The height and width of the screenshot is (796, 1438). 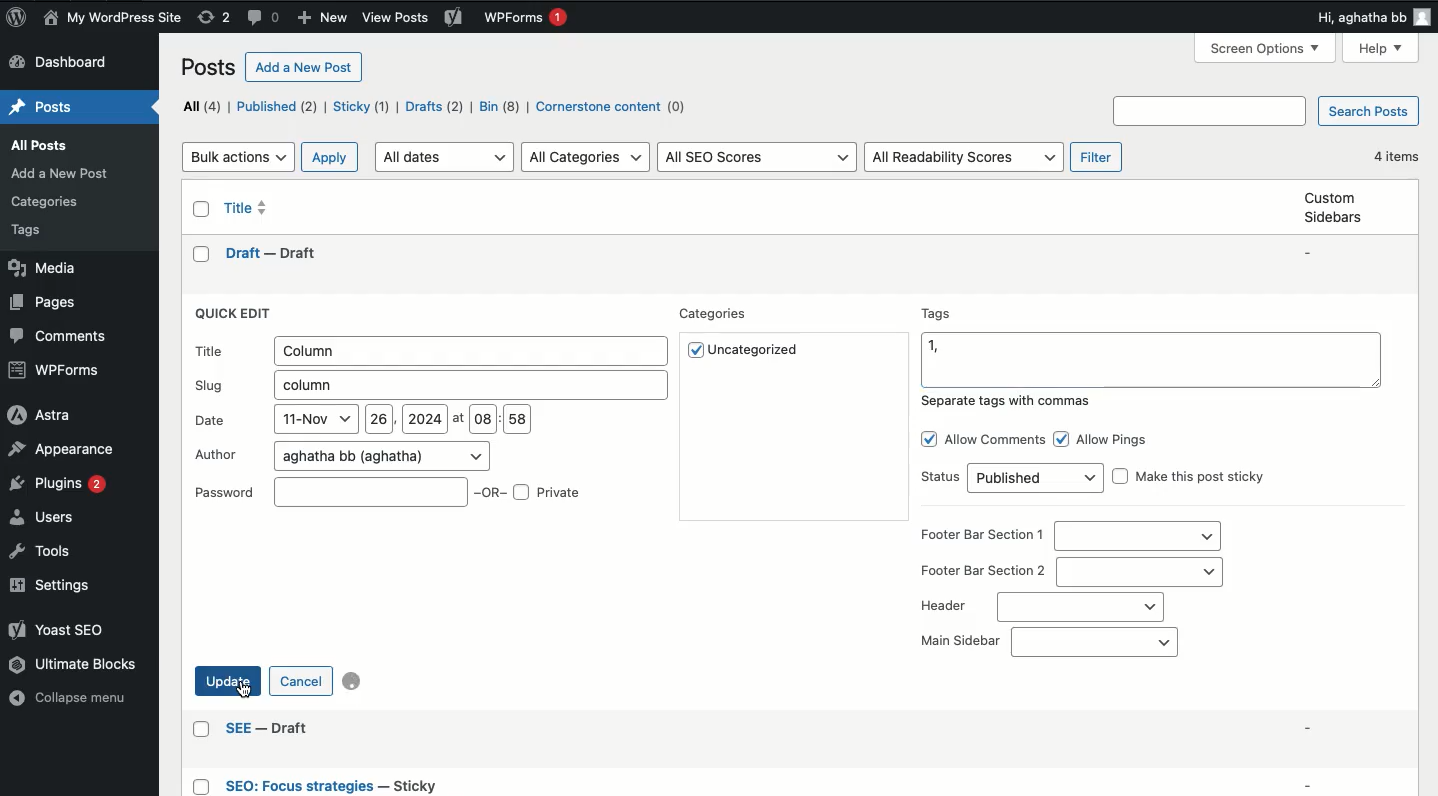 What do you see at coordinates (425, 418) in the screenshot?
I see `2024` at bounding box center [425, 418].